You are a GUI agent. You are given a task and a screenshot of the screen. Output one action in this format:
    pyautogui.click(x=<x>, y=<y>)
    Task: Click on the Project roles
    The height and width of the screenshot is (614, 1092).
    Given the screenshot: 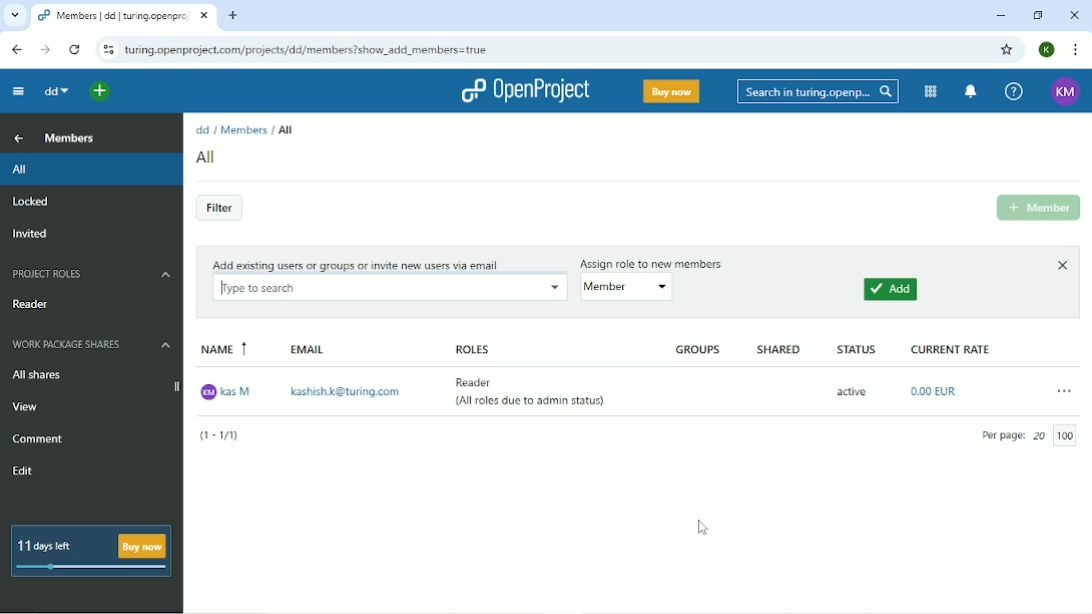 What is the action you would take?
    pyautogui.click(x=89, y=274)
    